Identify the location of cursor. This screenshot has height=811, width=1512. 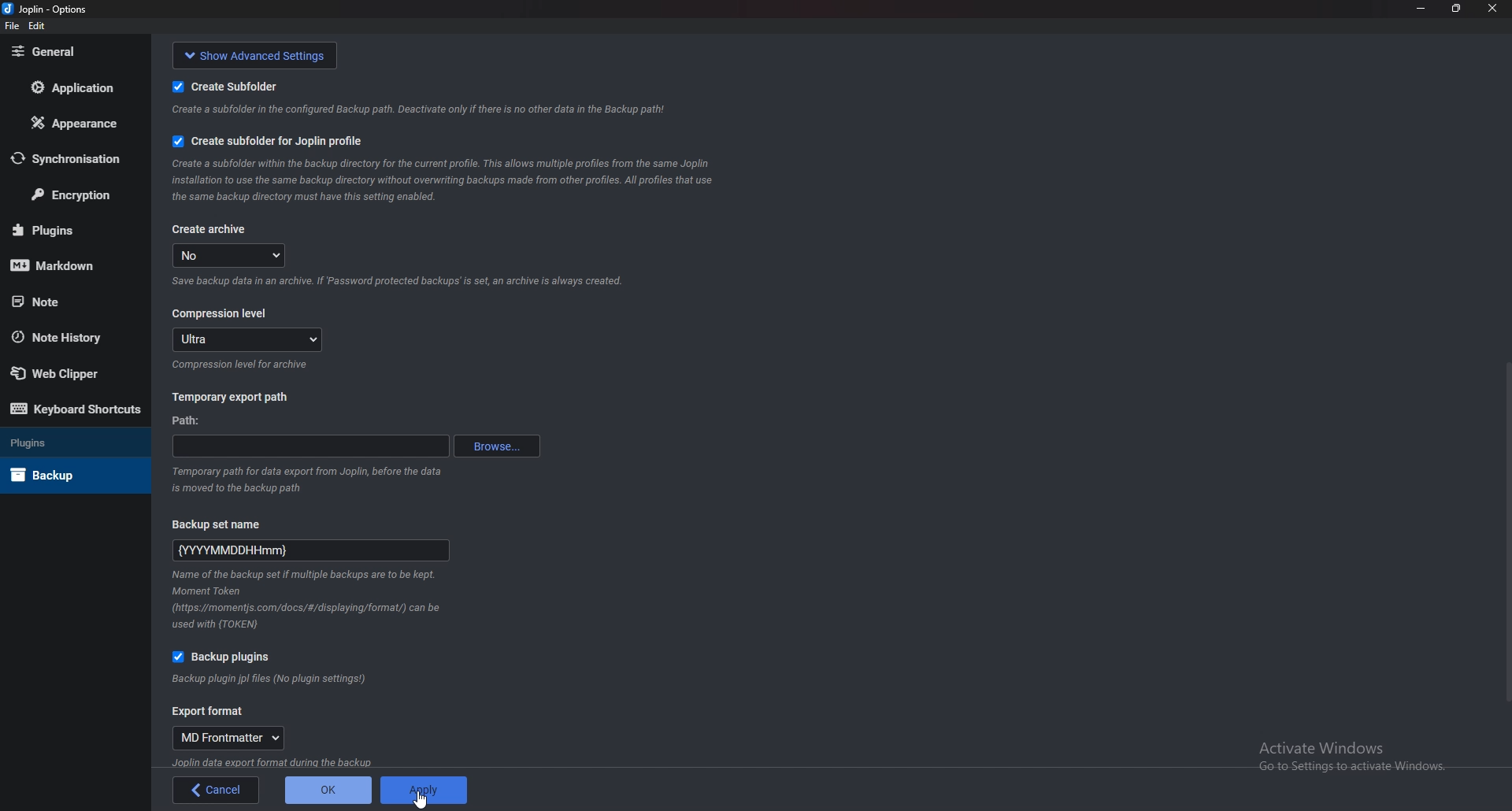
(423, 799).